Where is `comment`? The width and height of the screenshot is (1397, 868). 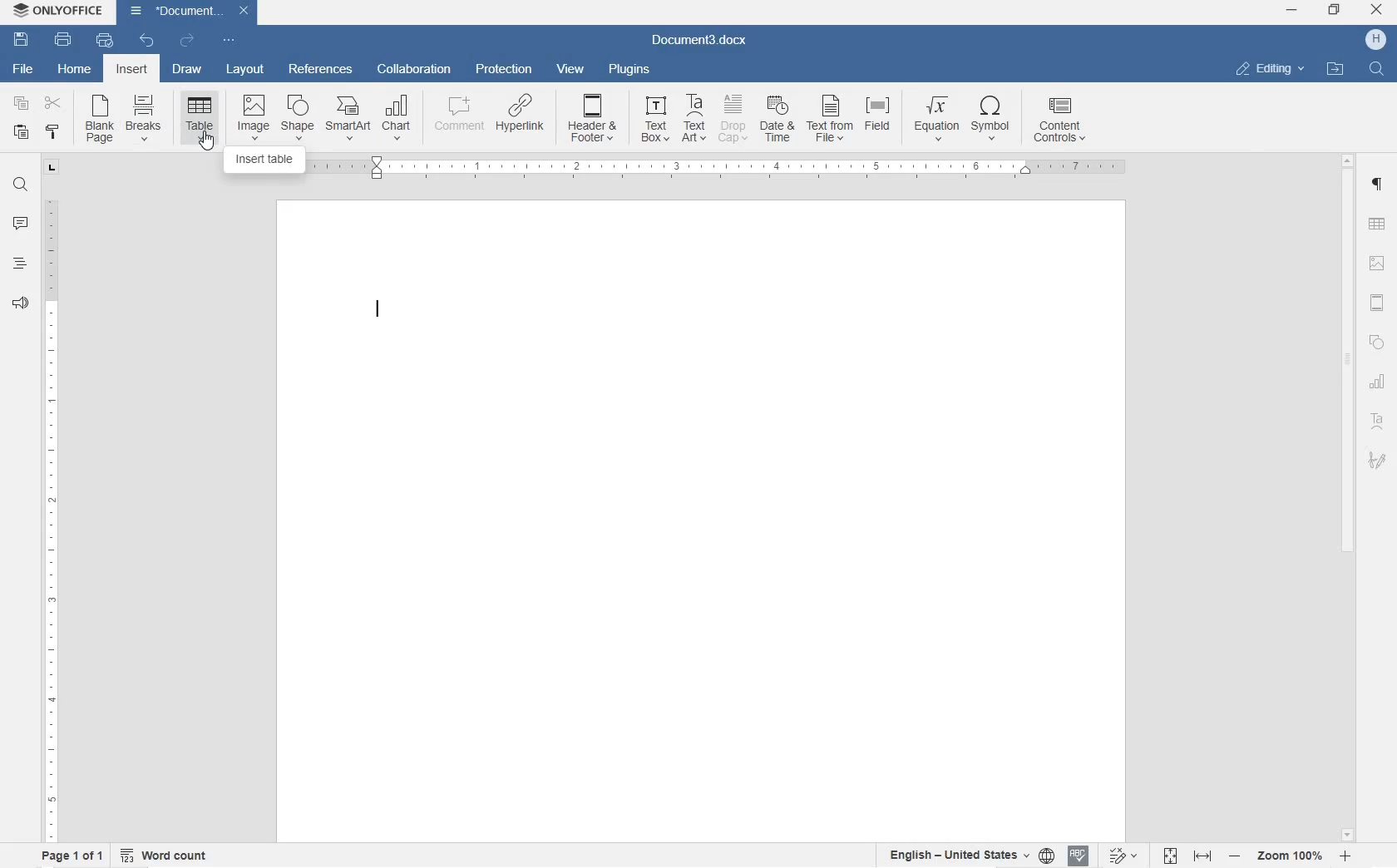
comment is located at coordinates (456, 118).